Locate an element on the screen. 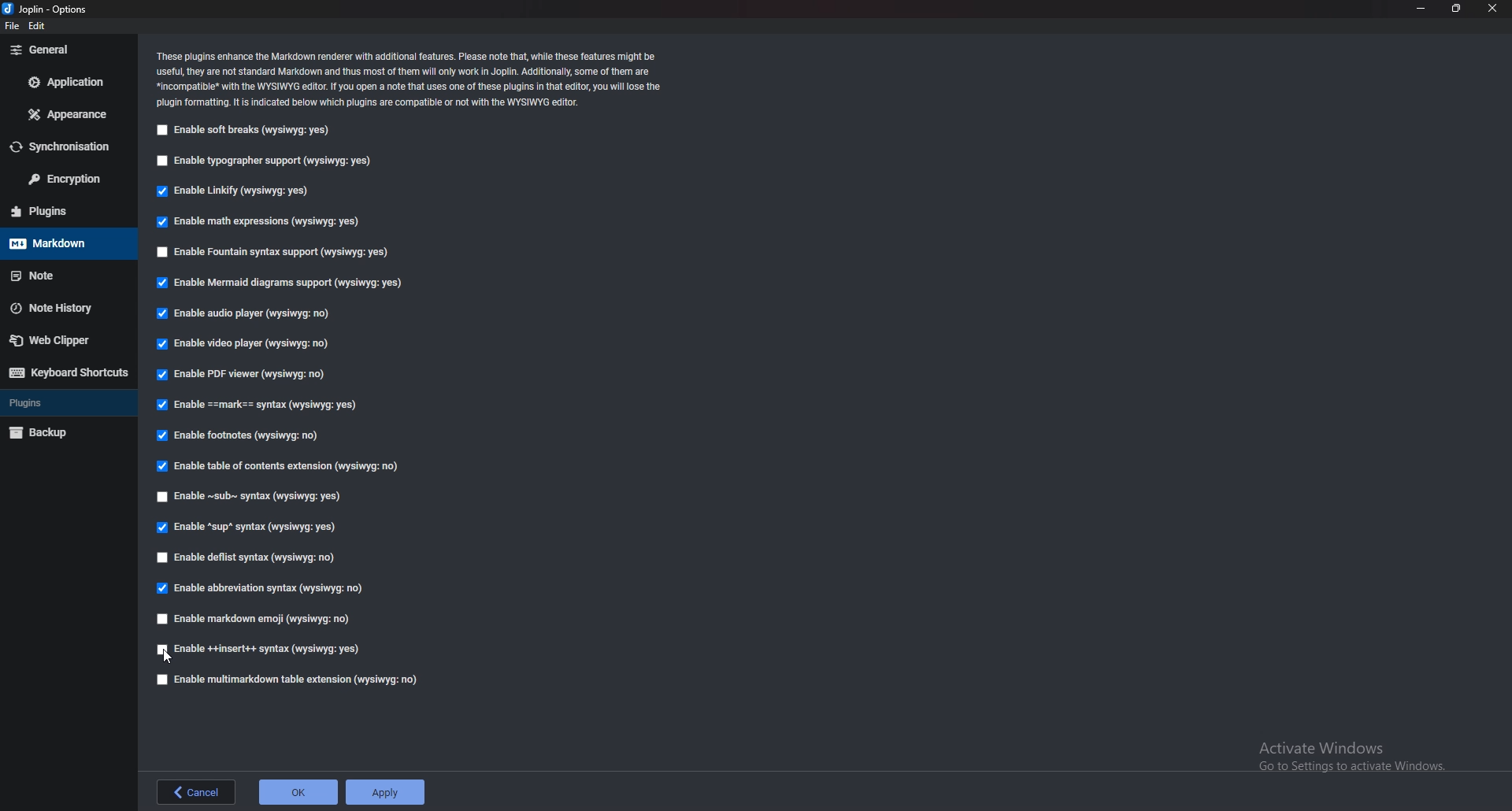 This screenshot has width=1512, height=811. close is located at coordinates (1494, 8).